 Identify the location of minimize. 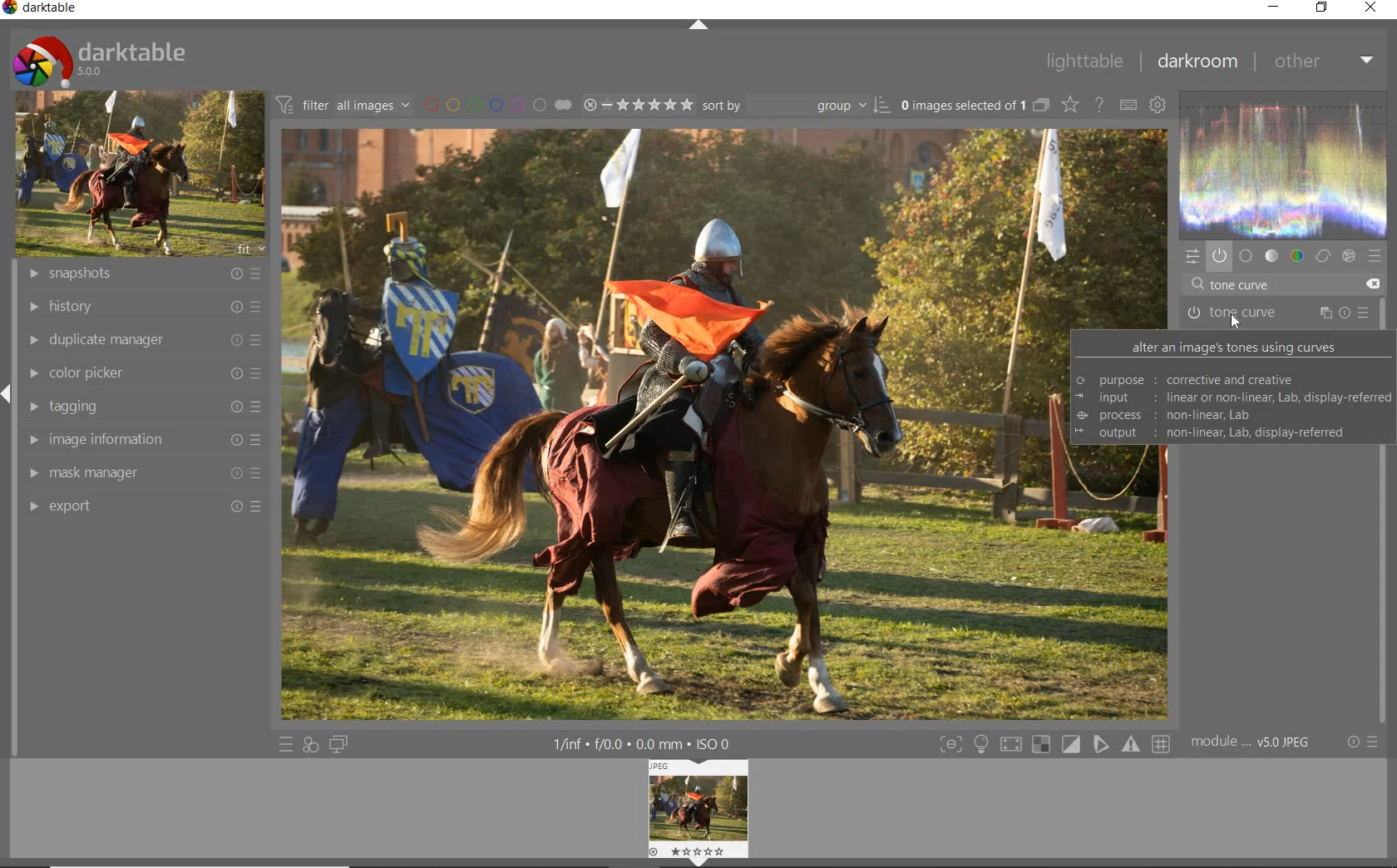
(1276, 7).